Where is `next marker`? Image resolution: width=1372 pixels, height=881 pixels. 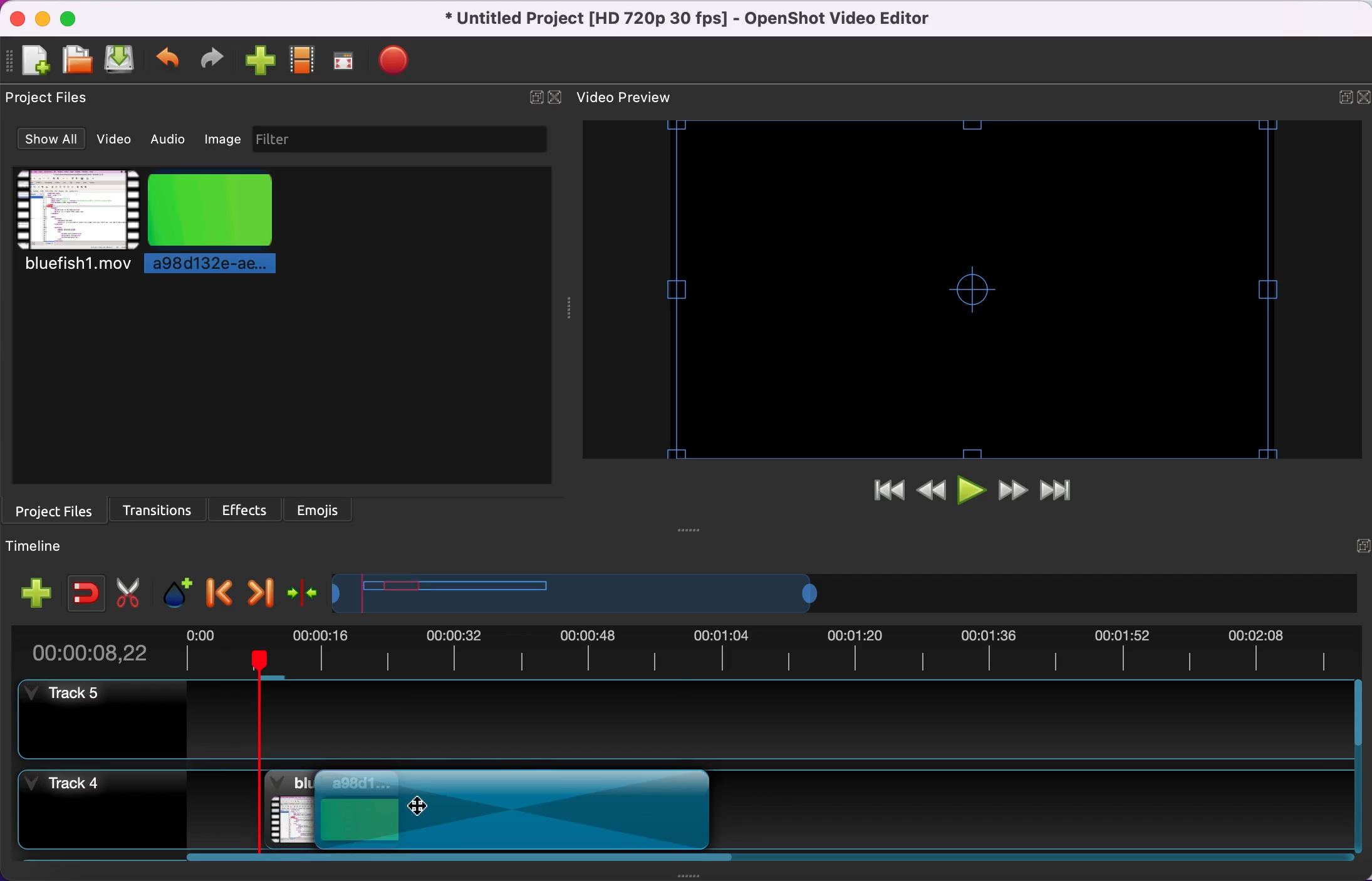 next marker is located at coordinates (264, 592).